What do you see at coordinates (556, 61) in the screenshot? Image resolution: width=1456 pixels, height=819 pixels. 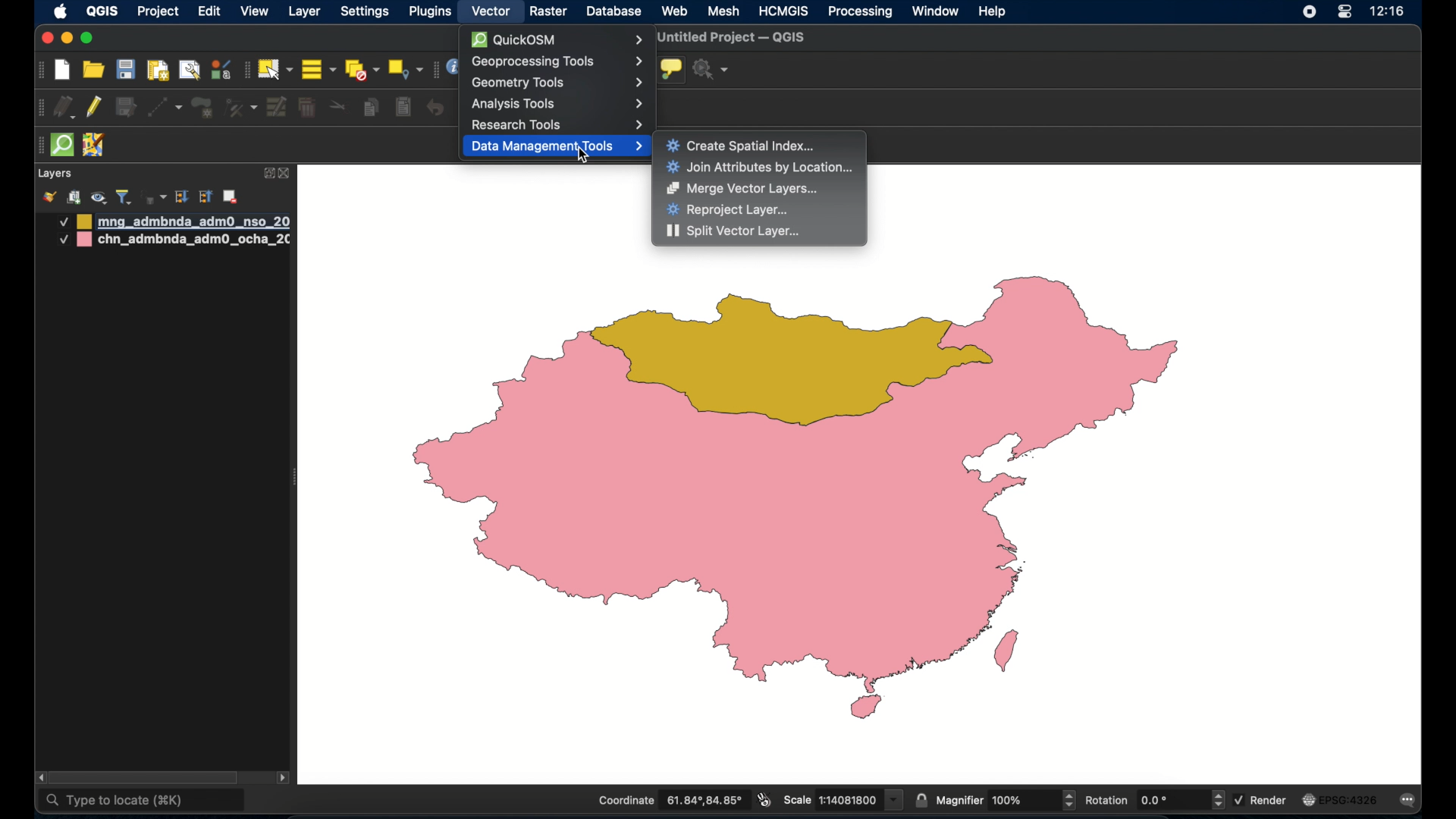 I see `geoprocessing tools` at bounding box center [556, 61].